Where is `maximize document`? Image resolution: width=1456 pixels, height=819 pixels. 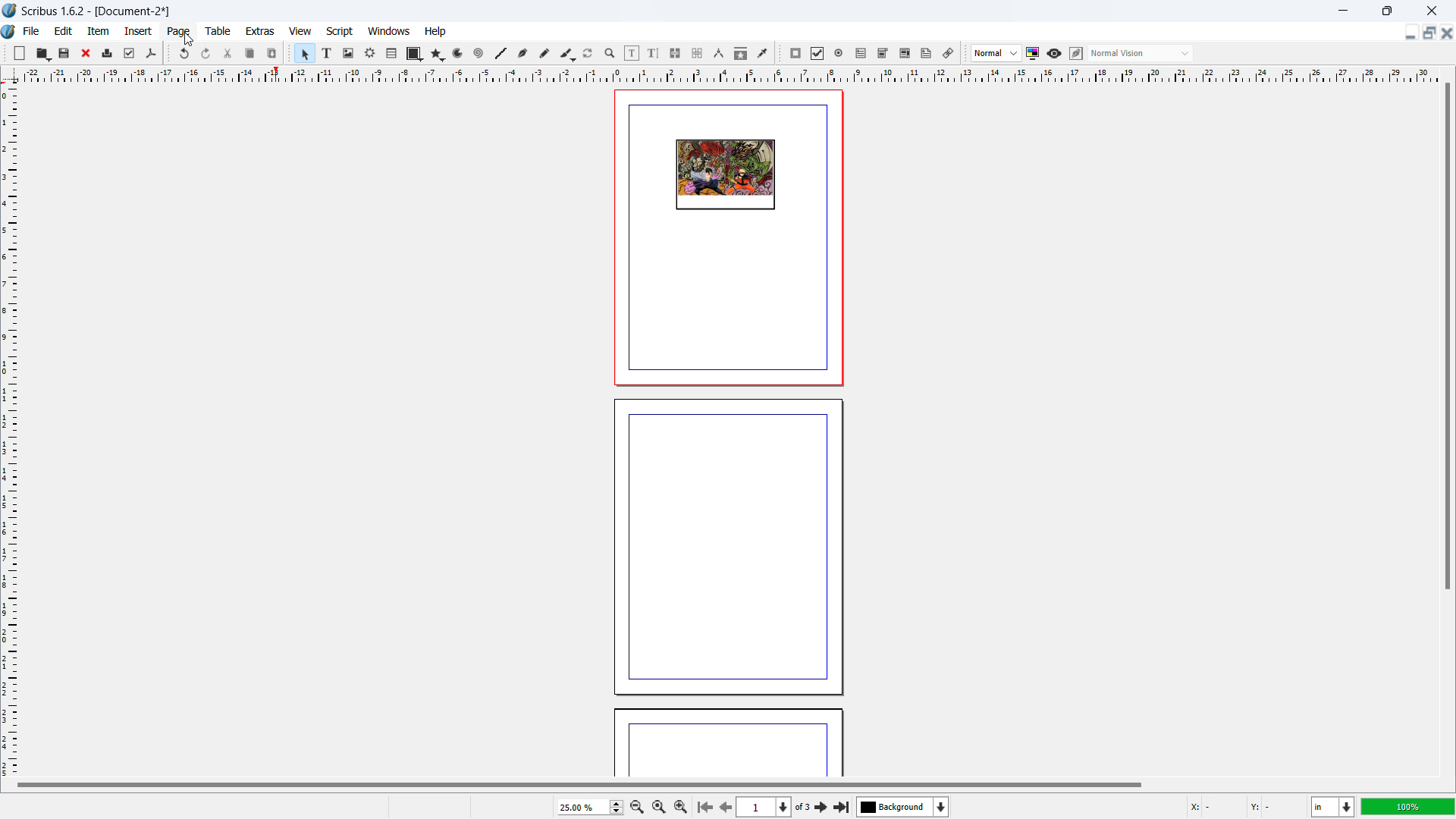
maximize document is located at coordinates (1427, 33).